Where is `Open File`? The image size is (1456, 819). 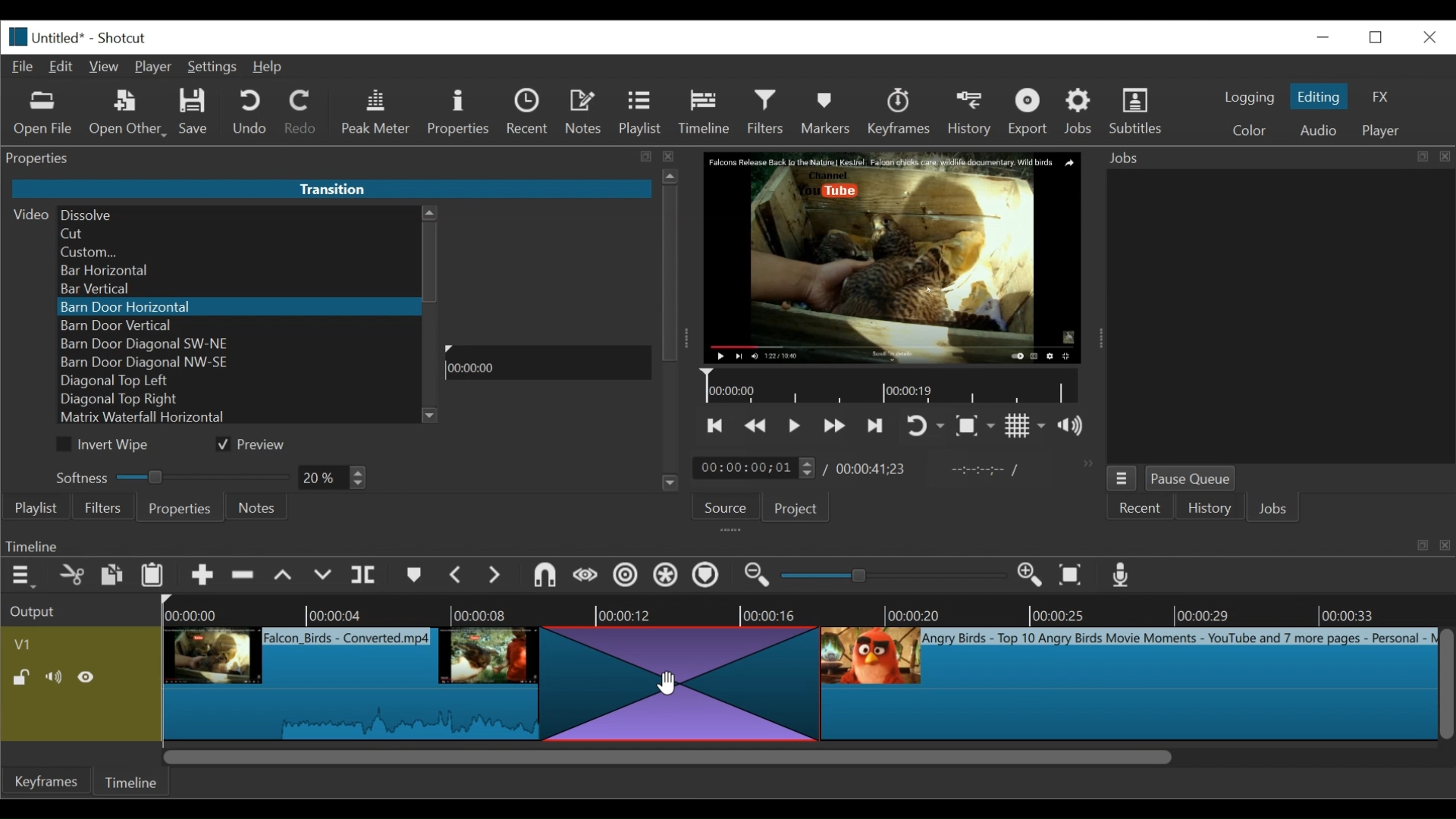
Open File is located at coordinates (43, 114).